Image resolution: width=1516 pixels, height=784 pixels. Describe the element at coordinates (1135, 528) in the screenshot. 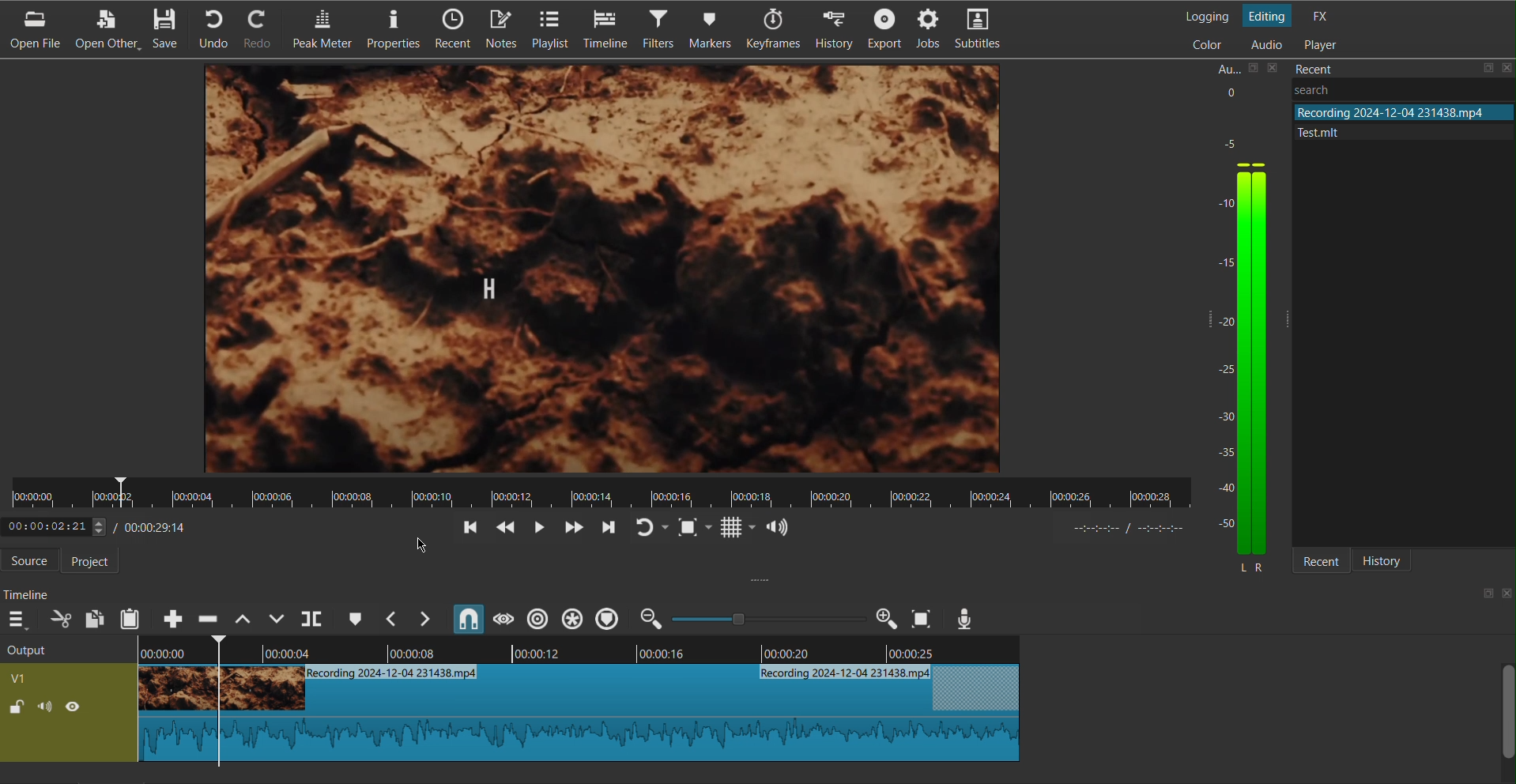

I see `timer format` at that location.